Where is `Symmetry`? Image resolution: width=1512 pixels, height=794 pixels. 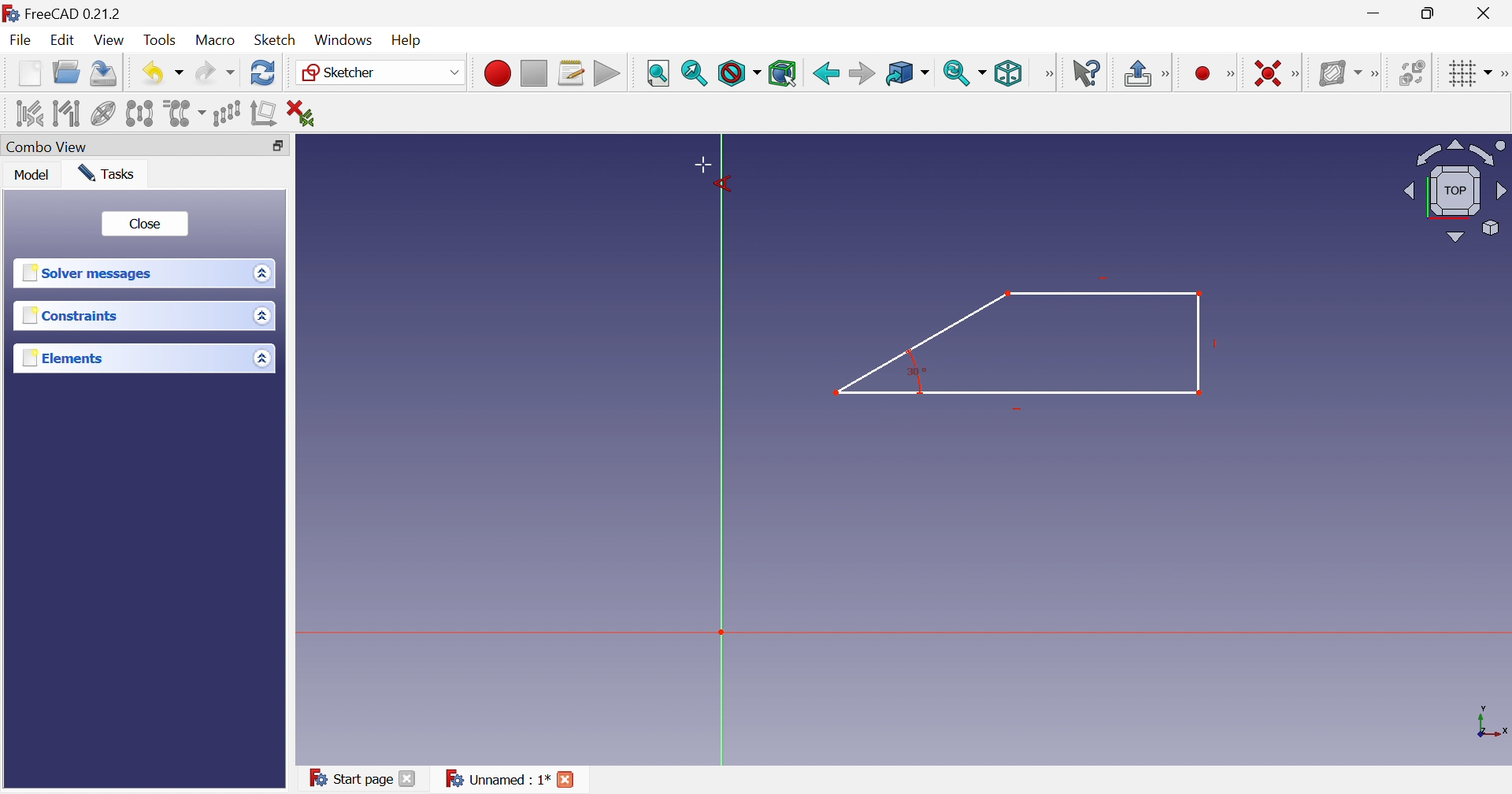
Symmetry is located at coordinates (140, 114).